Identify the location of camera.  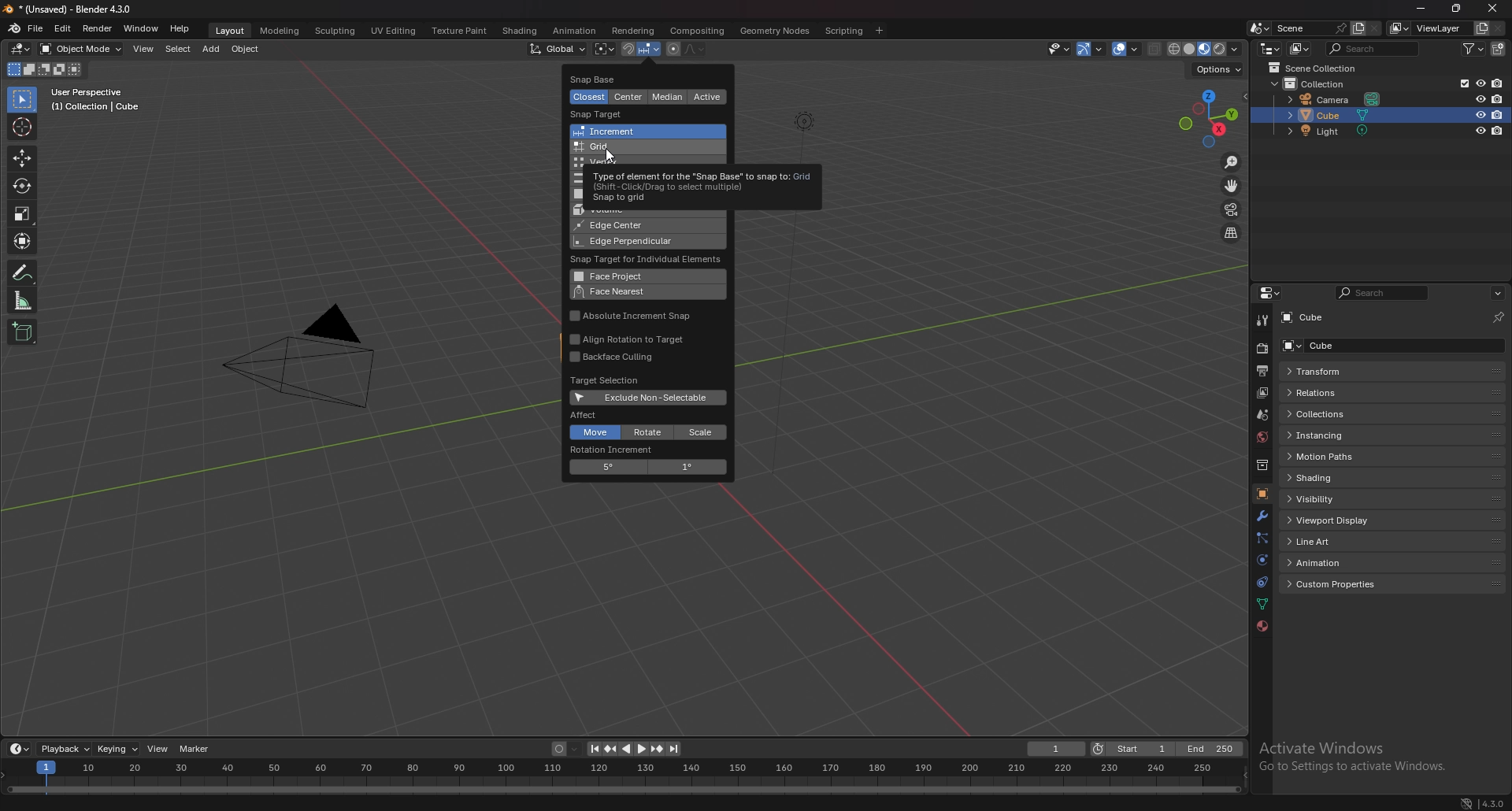
(312, 355).